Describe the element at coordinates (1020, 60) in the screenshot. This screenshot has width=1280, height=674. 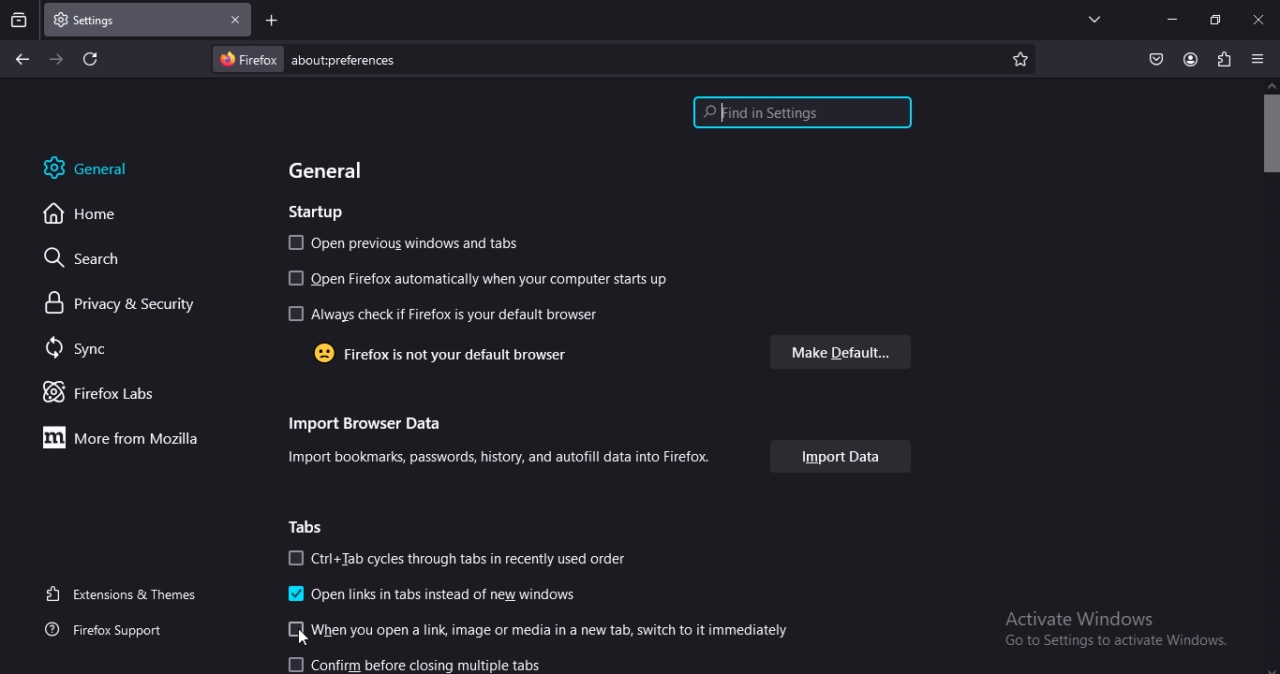
I see `bookmark this page` at that location.